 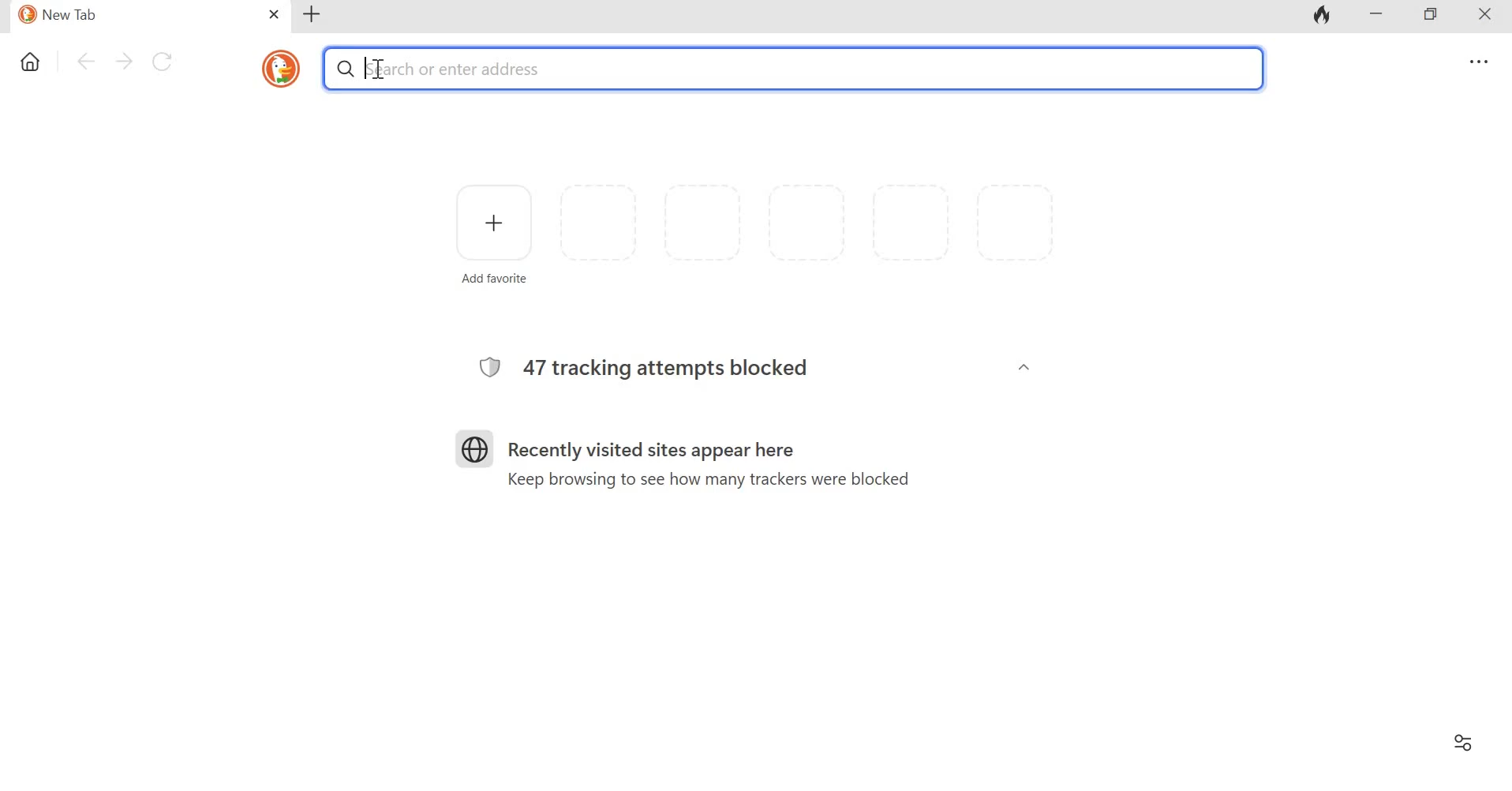 What do you see at coordinates (367, 66) in the screenshot?
I see `cursor` at bounding box center [367, 66].